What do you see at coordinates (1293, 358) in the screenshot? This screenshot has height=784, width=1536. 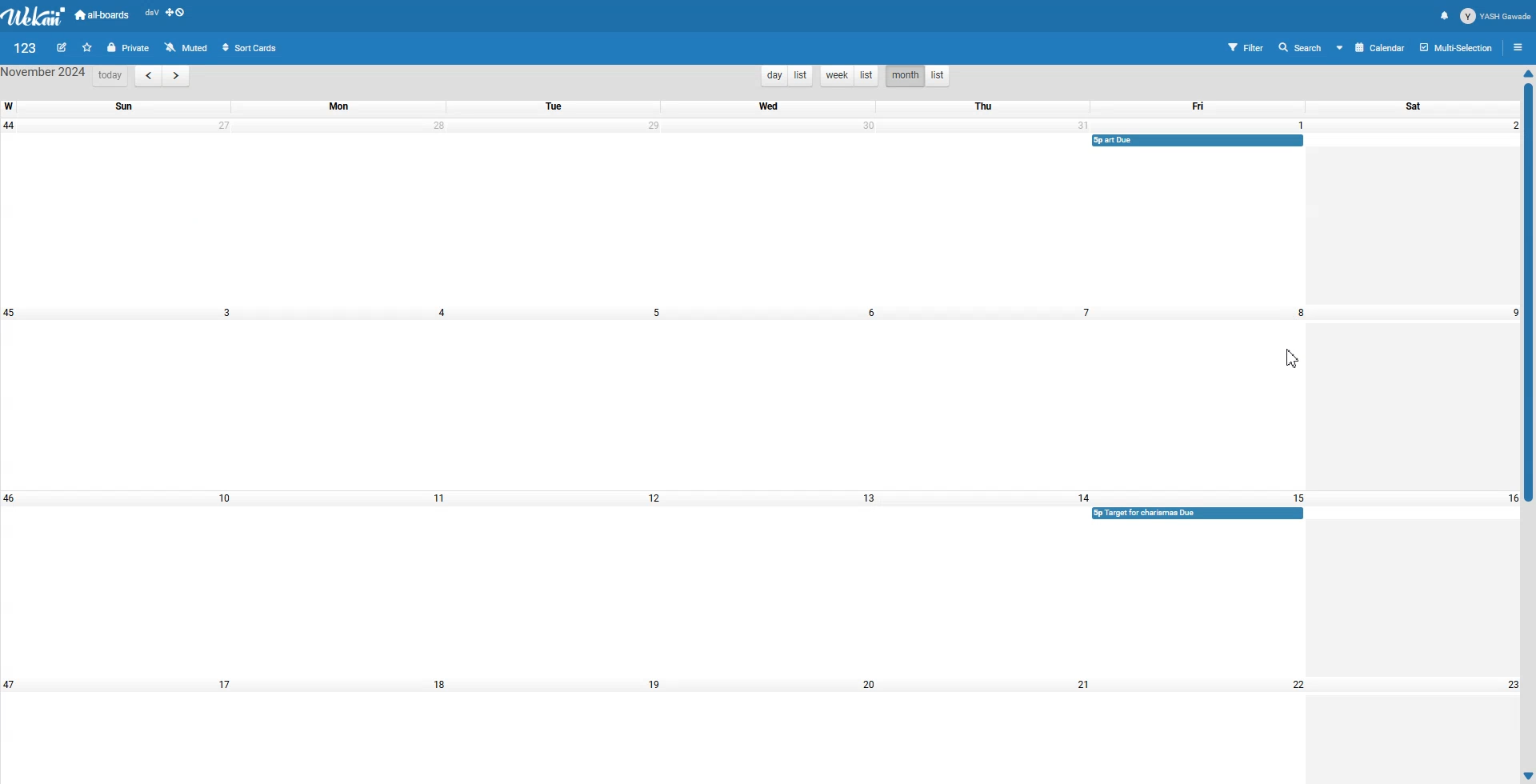 I see `Cursor` at bounding box center [1293, 358].